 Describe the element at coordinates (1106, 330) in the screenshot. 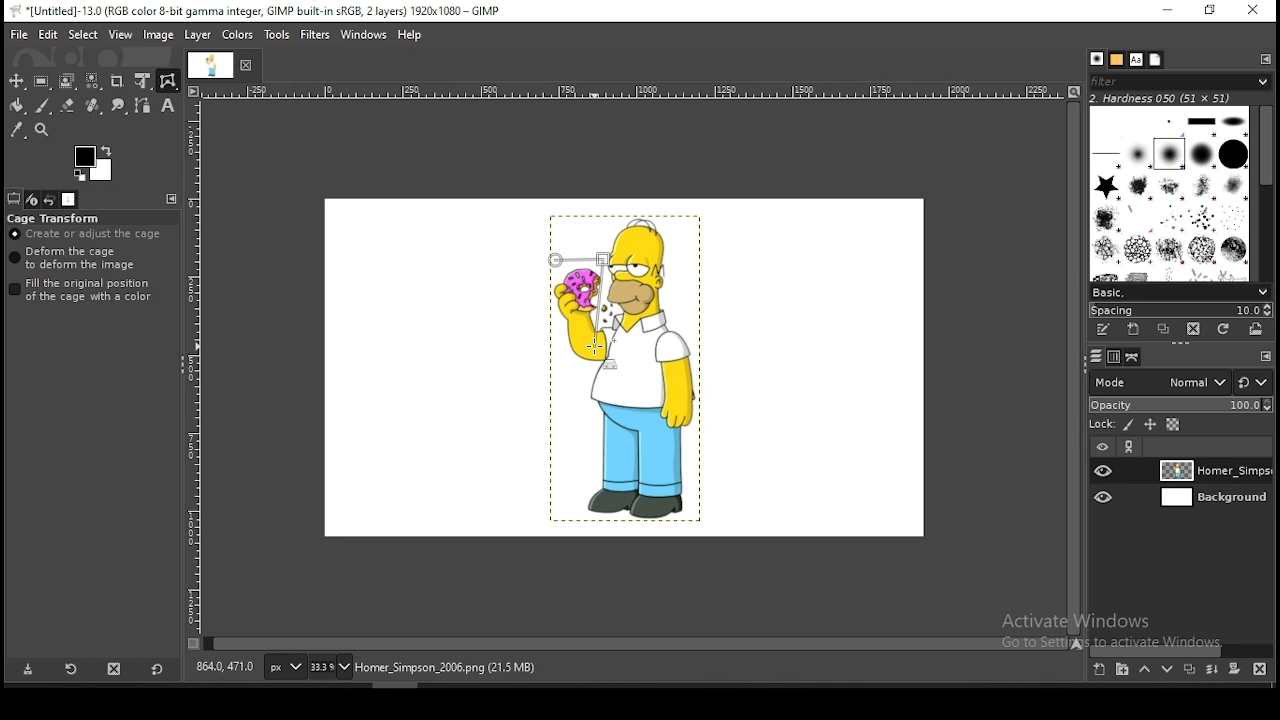

I see `edit this brush` at that location.